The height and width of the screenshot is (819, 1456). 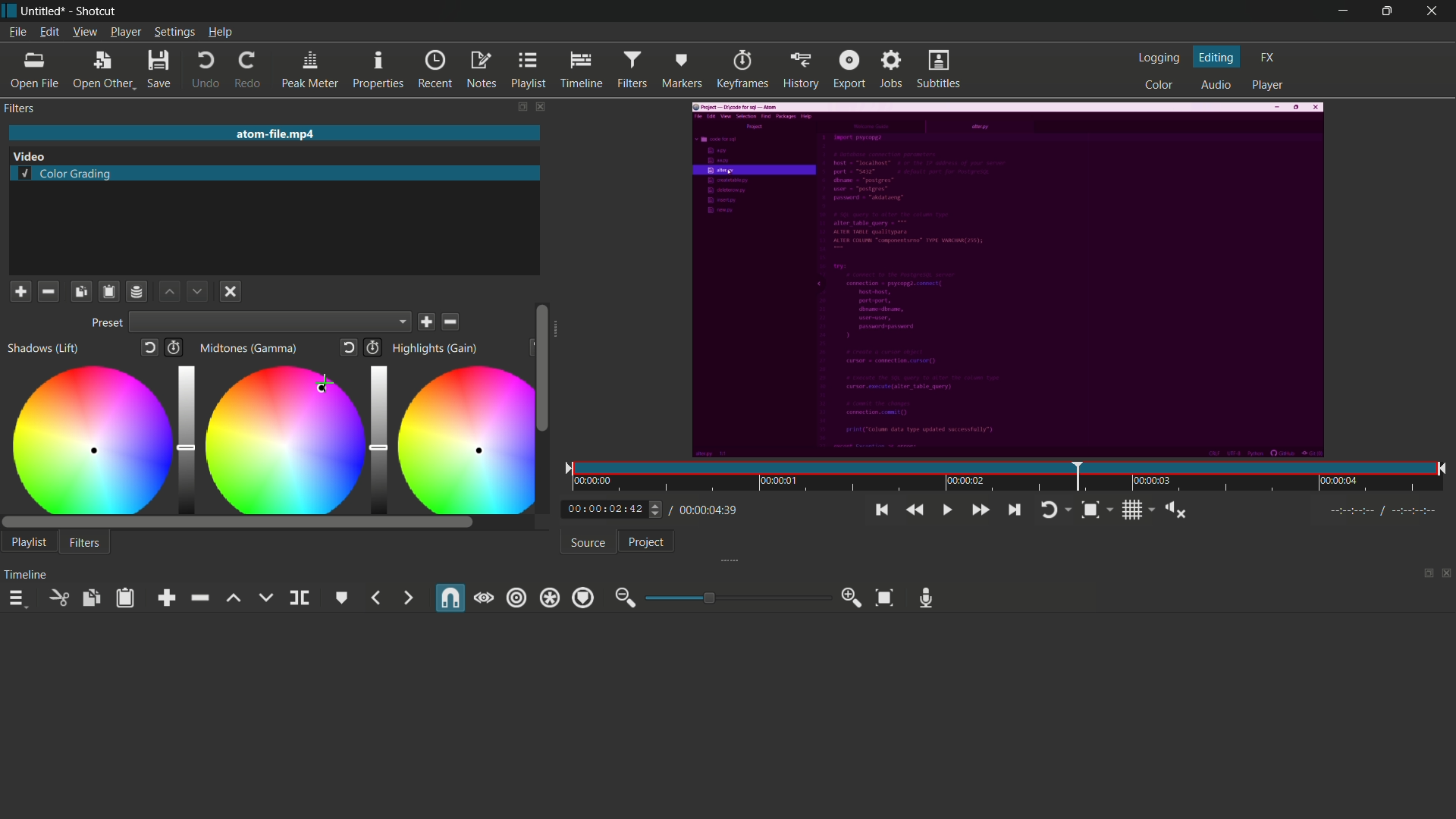 I want to click on export, so click(x=850, y=68).